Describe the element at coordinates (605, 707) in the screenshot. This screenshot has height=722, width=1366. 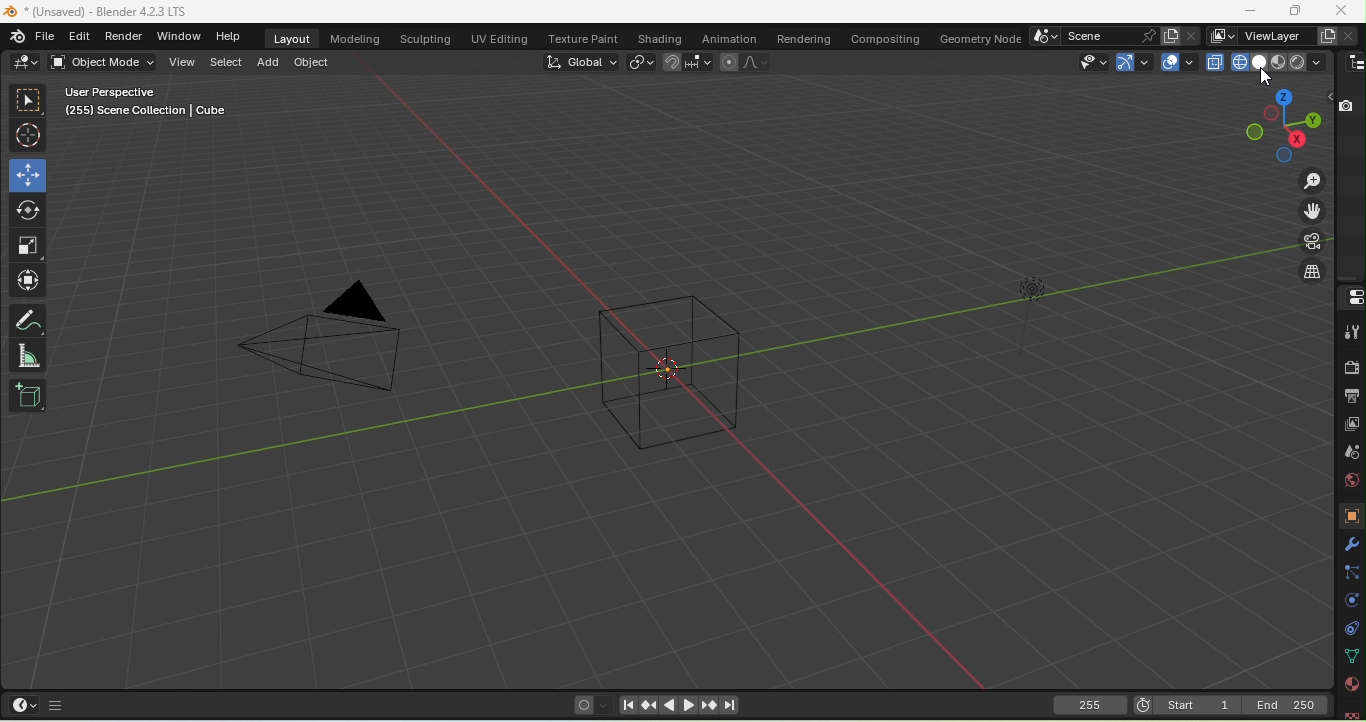
I see `Auto keyframing` at that location.